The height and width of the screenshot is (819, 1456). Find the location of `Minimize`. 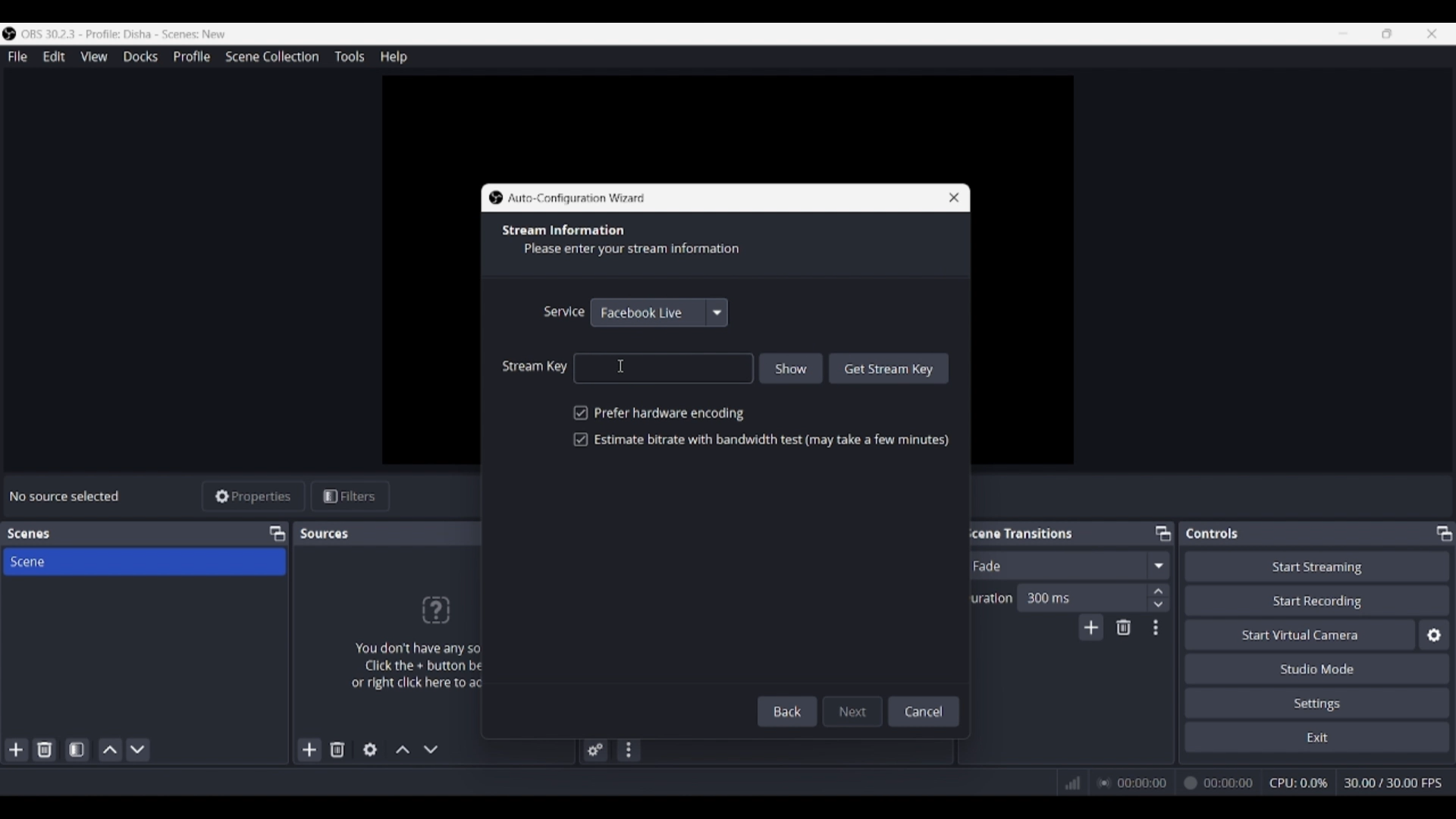

Minimize is located at coordinates (1343, 33).